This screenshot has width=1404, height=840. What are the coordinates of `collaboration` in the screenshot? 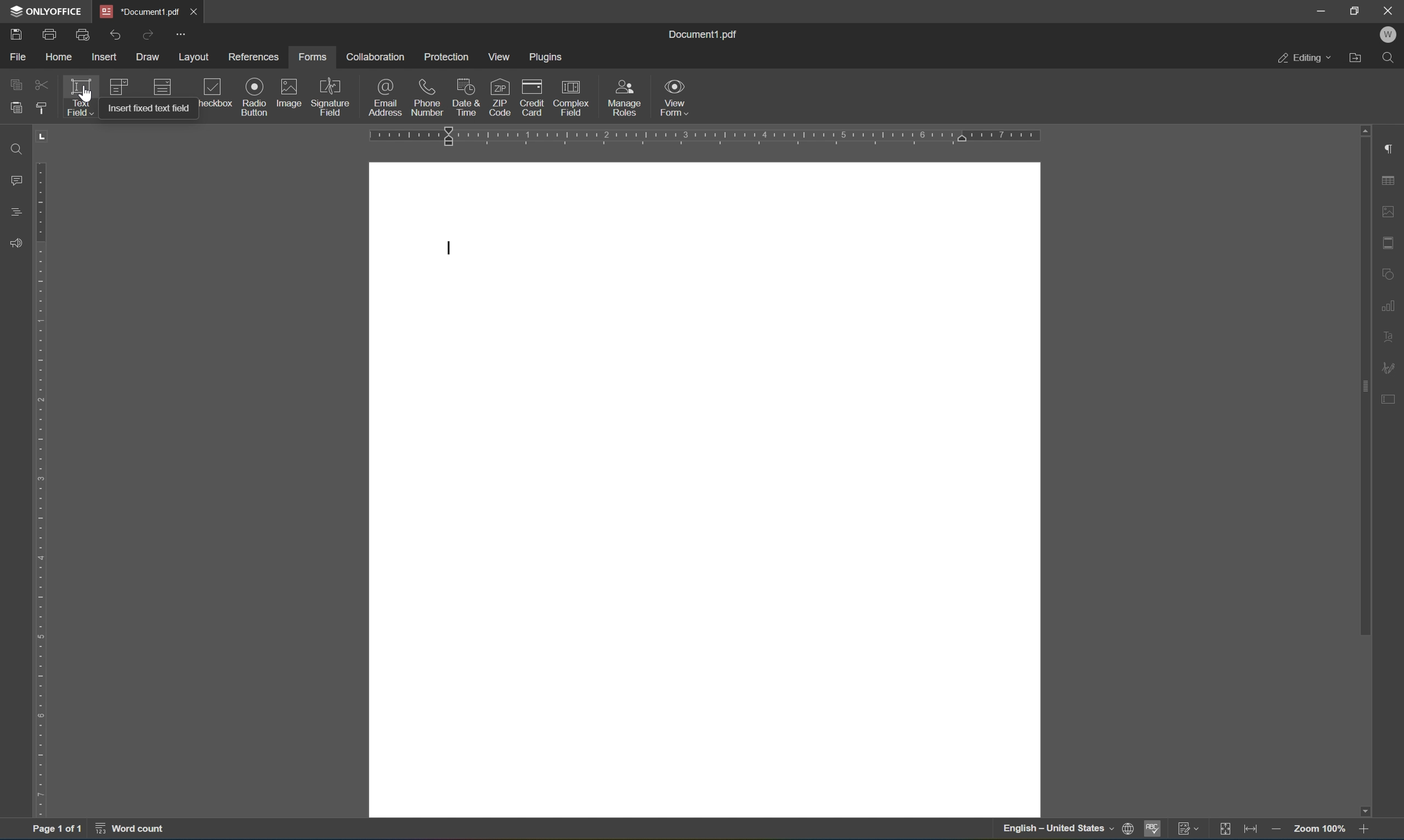 It's located at (374, 57).